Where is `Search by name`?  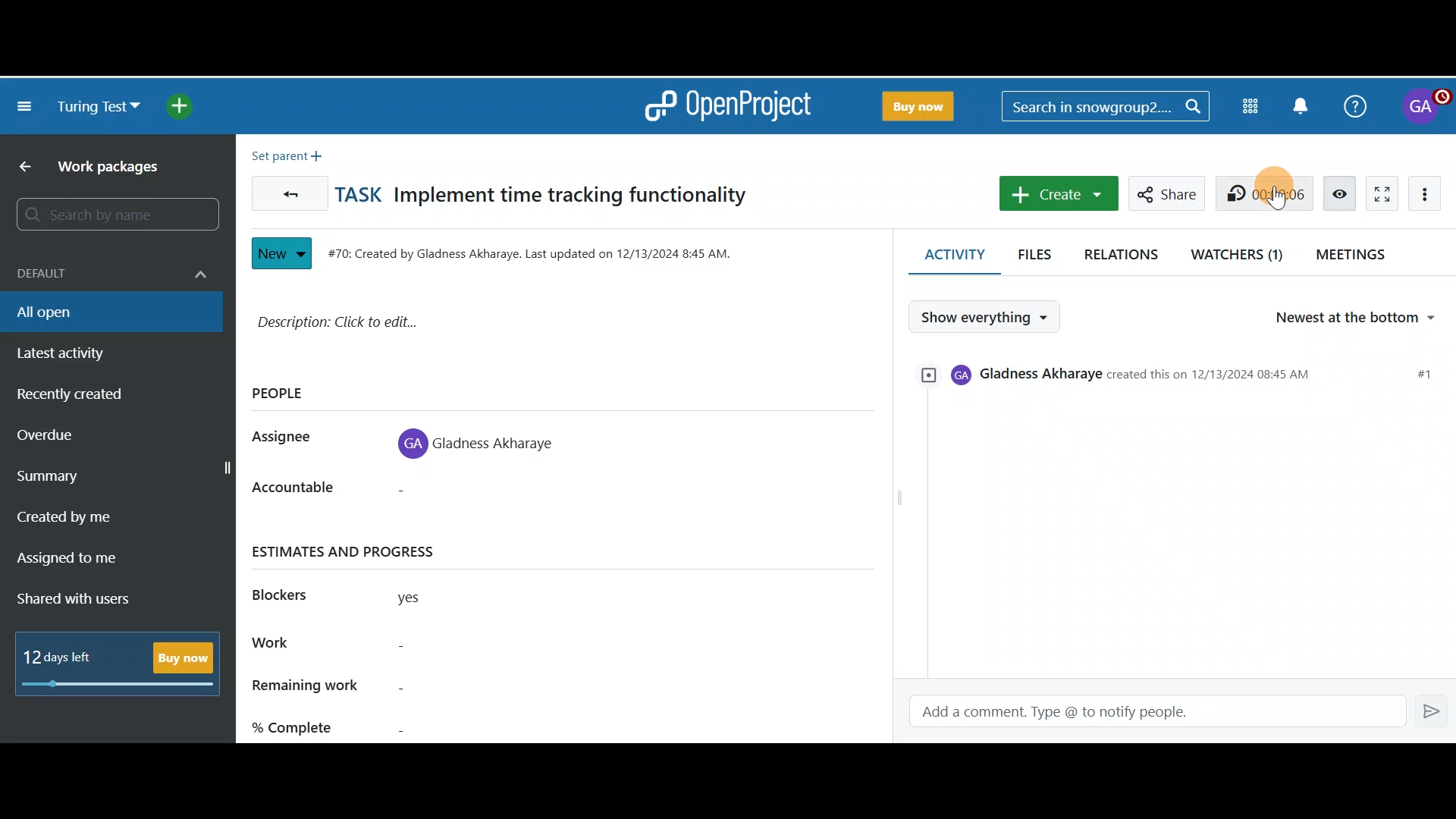 Search by name is located at coordinates (114, 215).